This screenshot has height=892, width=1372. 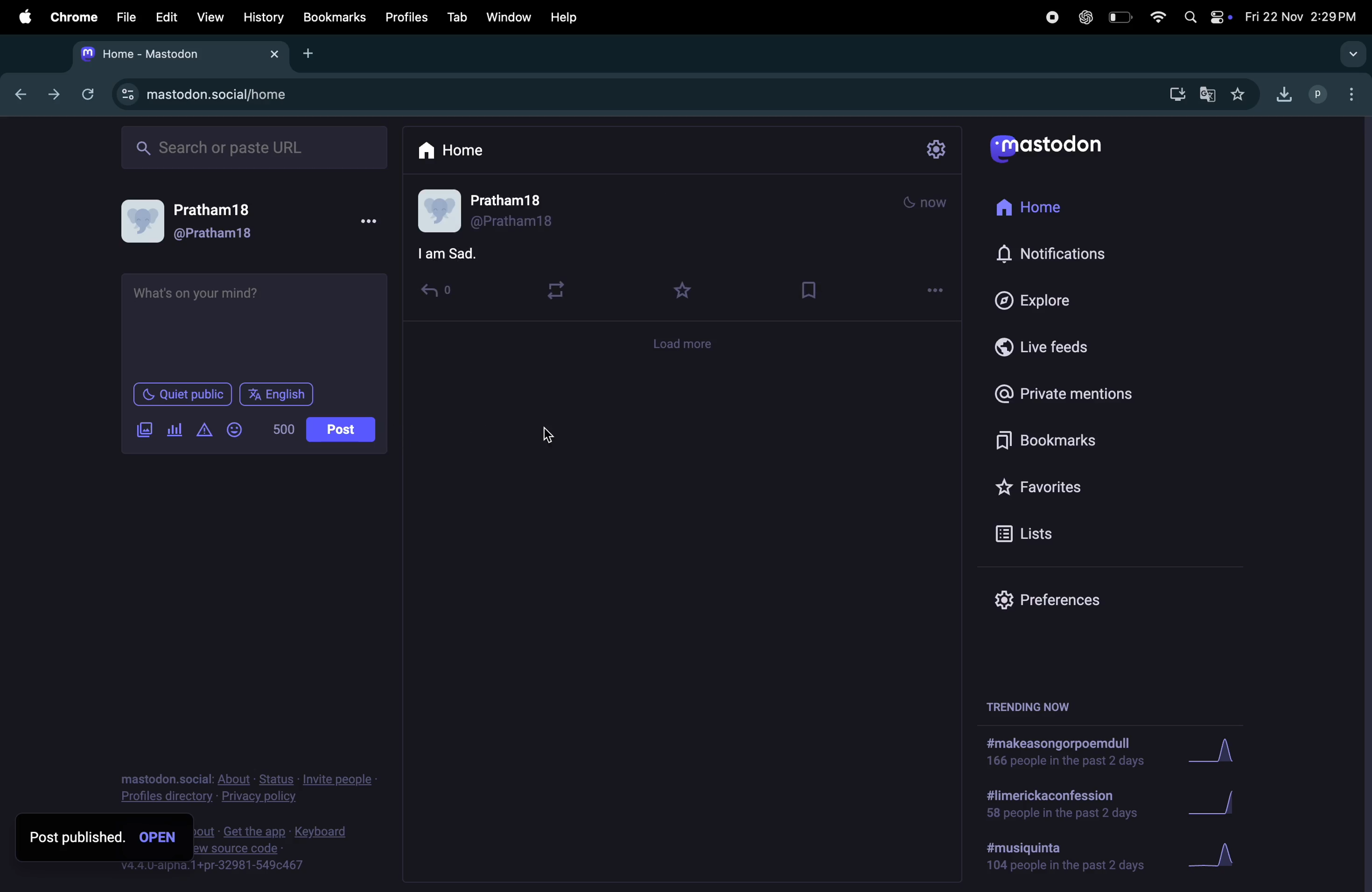 What do you see at coordinates (51, 95) in the screenshot?
I see `next tab` at bounding box center [51, 95].